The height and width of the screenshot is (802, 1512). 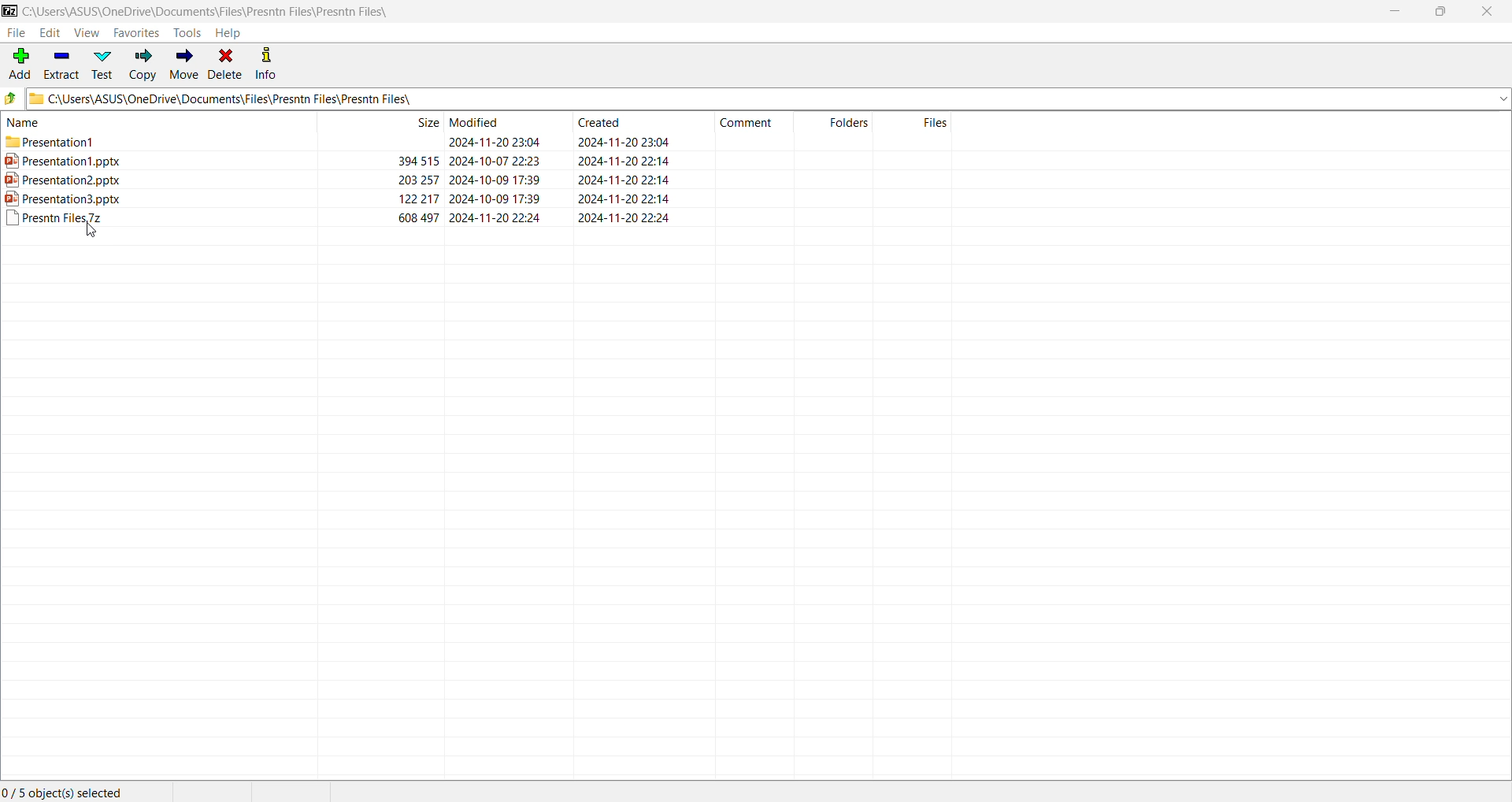 I want to click on name, so click(x=32, y=125).